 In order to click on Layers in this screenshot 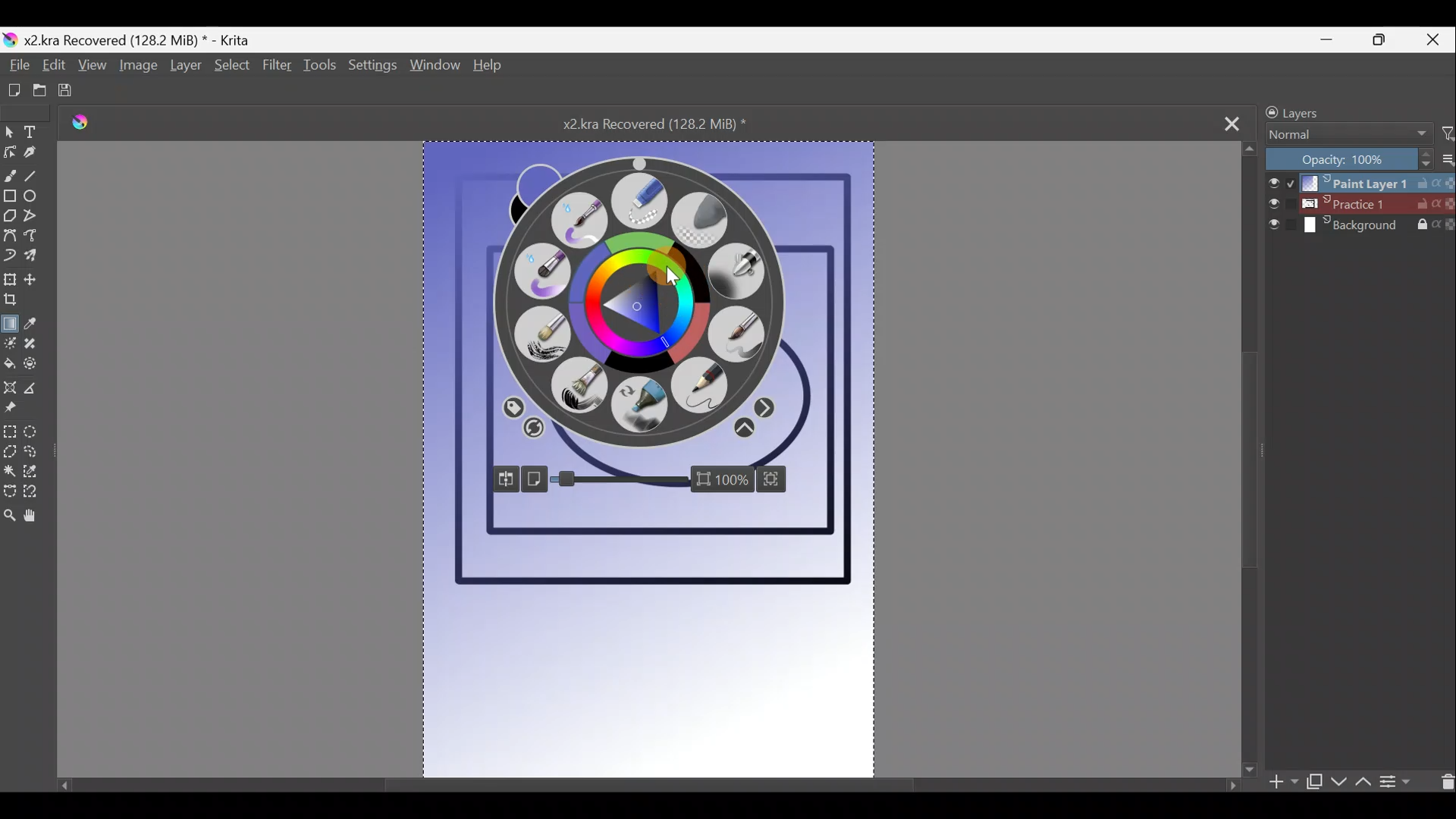, I will do `click(1332, 110)`.